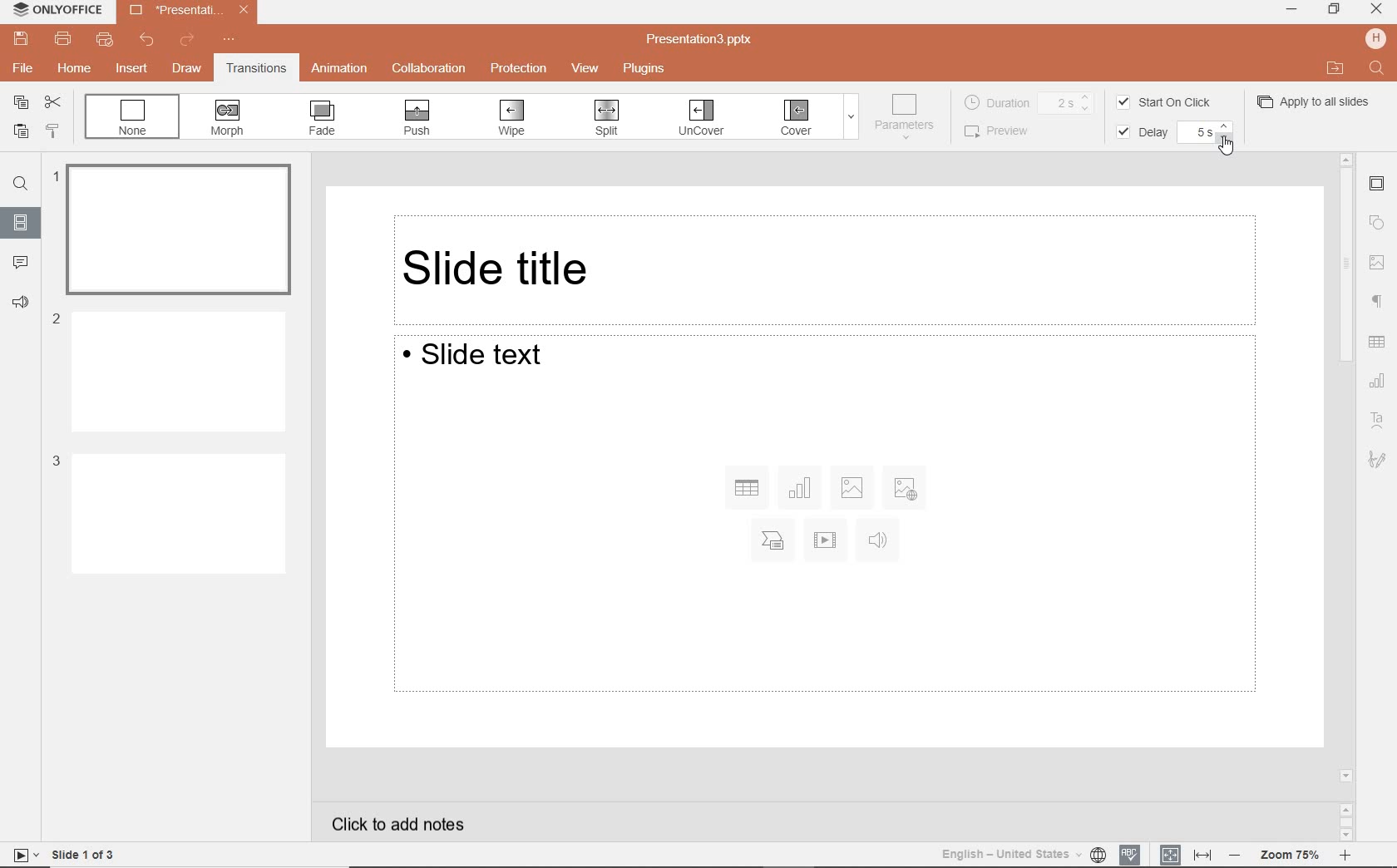  I want to click on DELAY BOX CHECKED, so click(1139, 133).